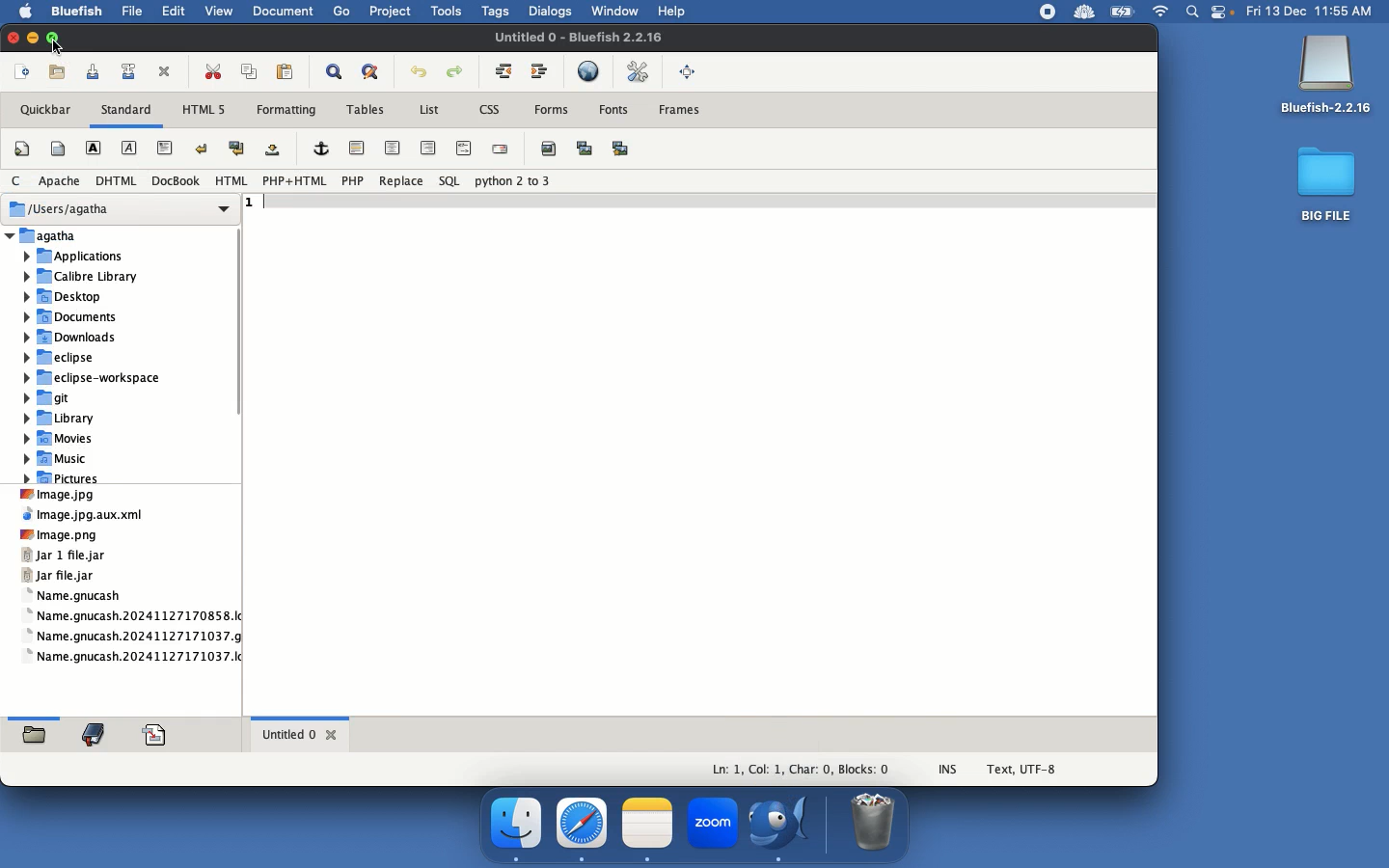 The width and height of the screenshot is (1389, 868). What do you see at coordinates (85, 255) in the screenshot?
I see `applications` at bounding box center [85, 255].